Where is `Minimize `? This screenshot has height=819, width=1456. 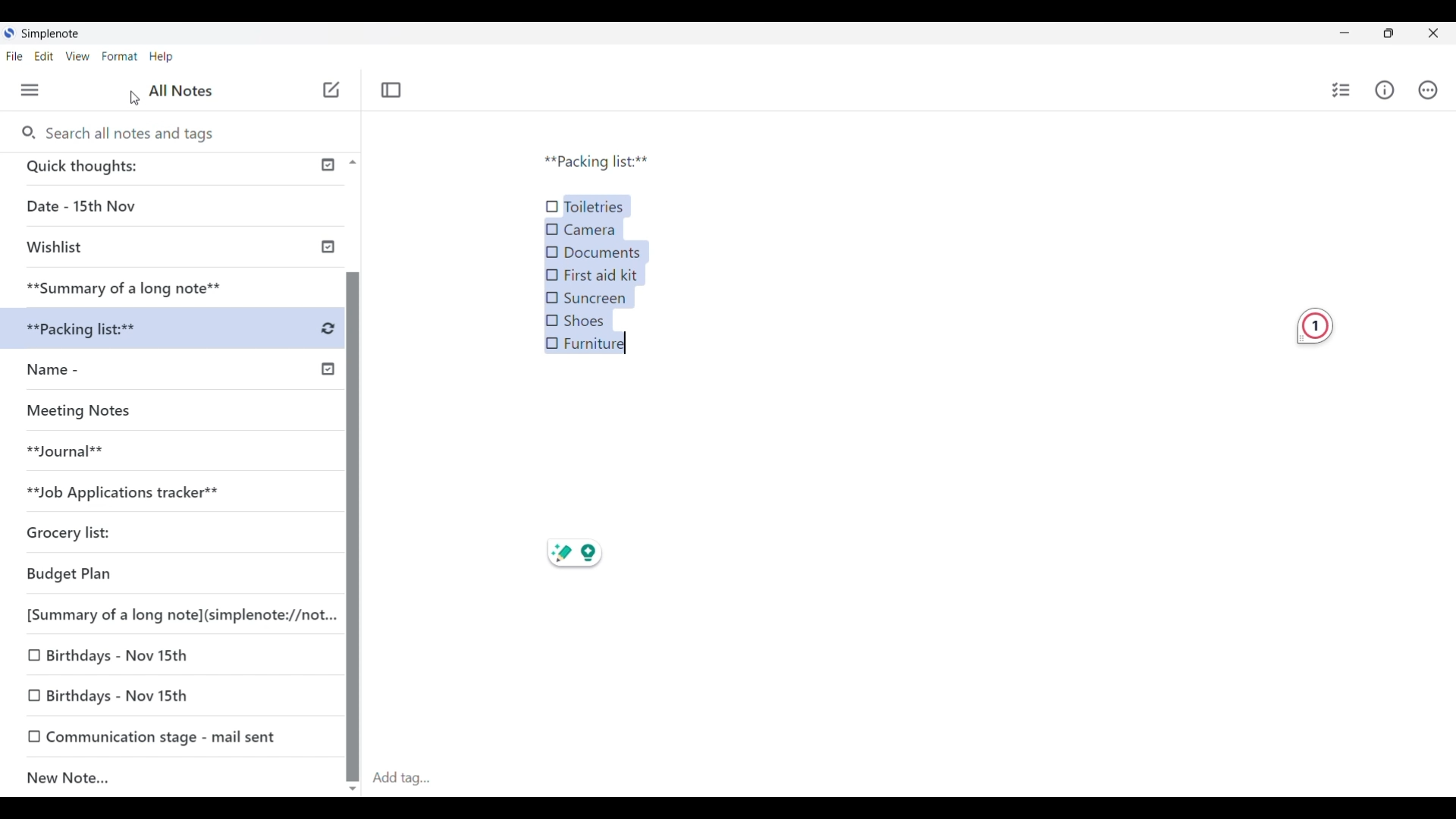 Minimize  is located at coordinates (1345, 33).